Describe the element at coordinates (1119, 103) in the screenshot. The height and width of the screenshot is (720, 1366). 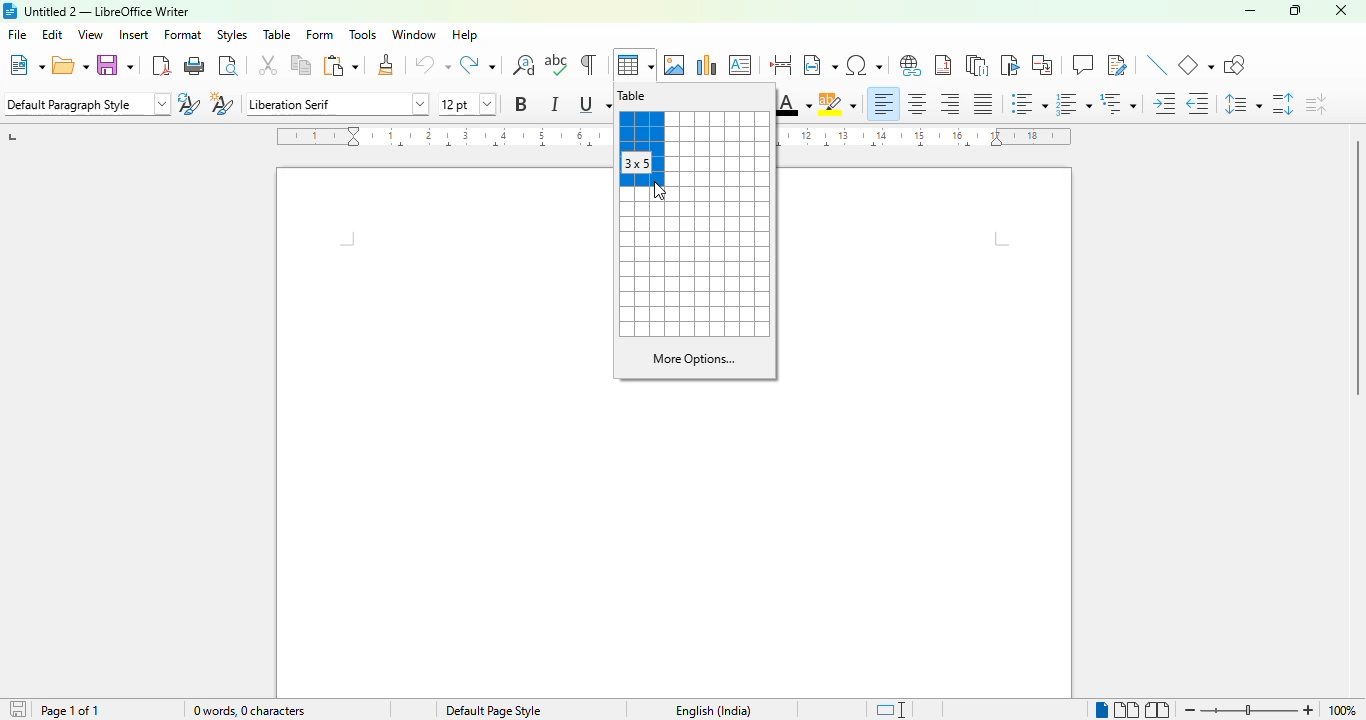
I see `select outline format` at that location.